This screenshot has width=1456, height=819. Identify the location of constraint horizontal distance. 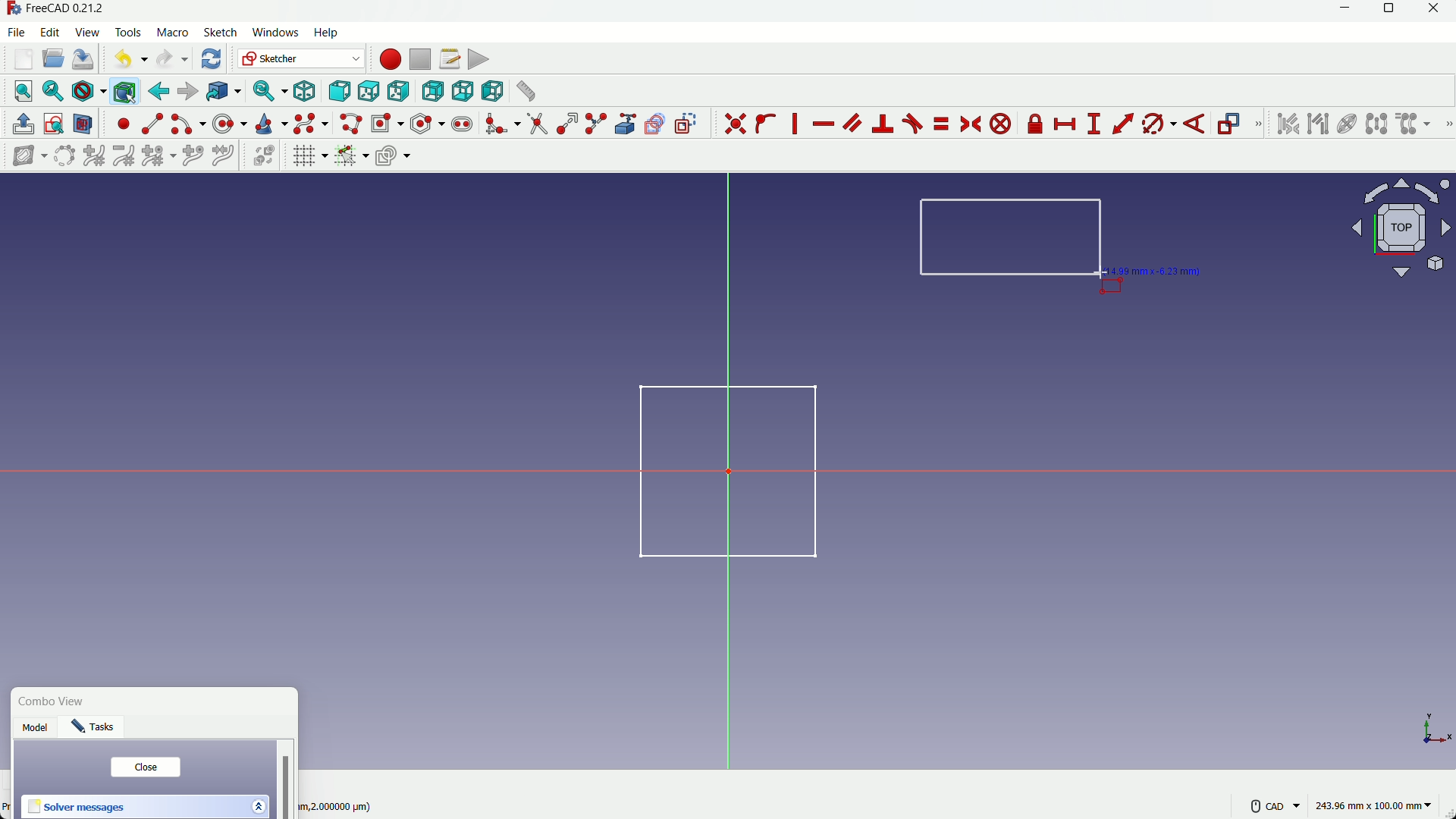
(1066, 124).